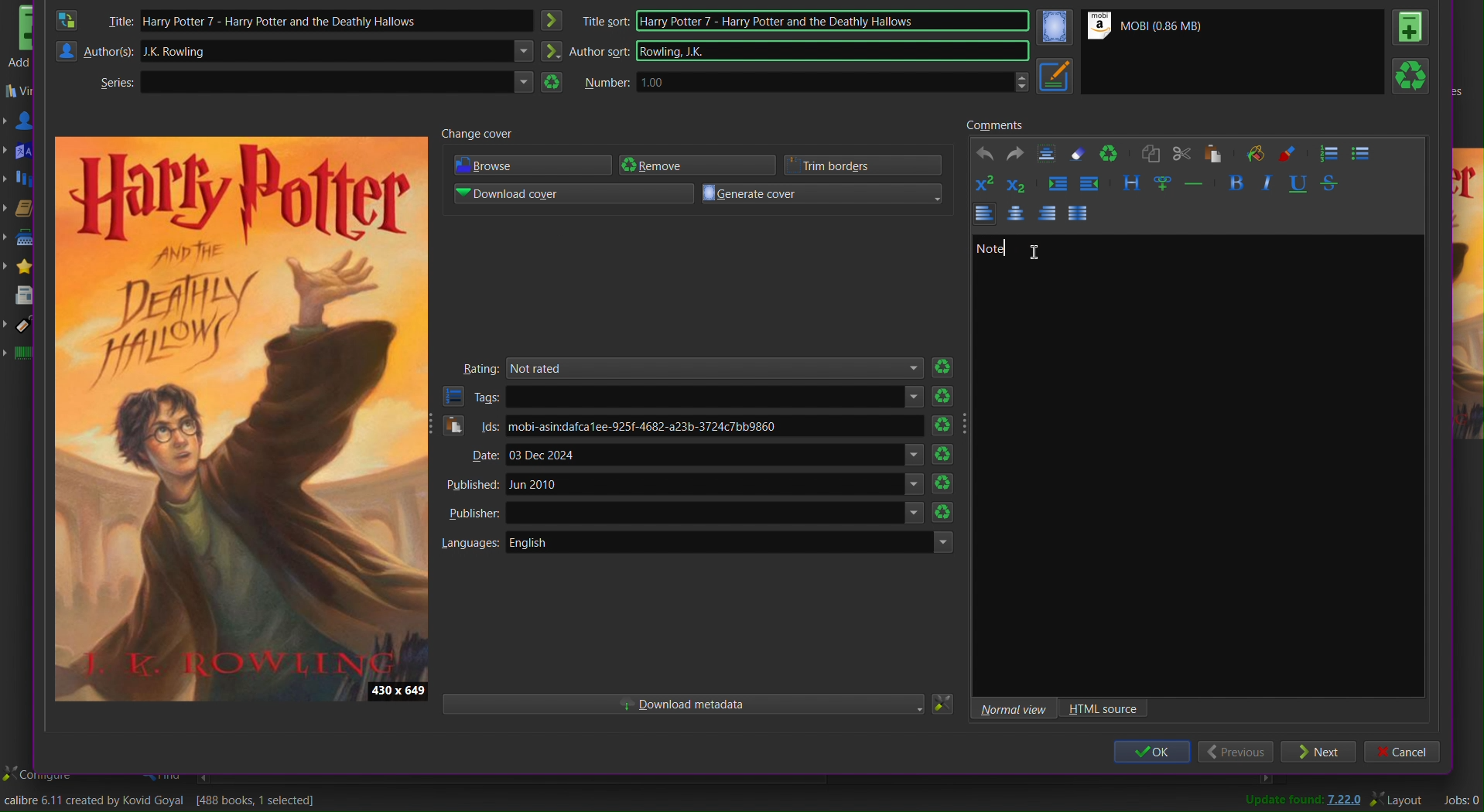 The width and height of the screenshot is (1484, 812). I want to click on Not rated, so click(718, 367).